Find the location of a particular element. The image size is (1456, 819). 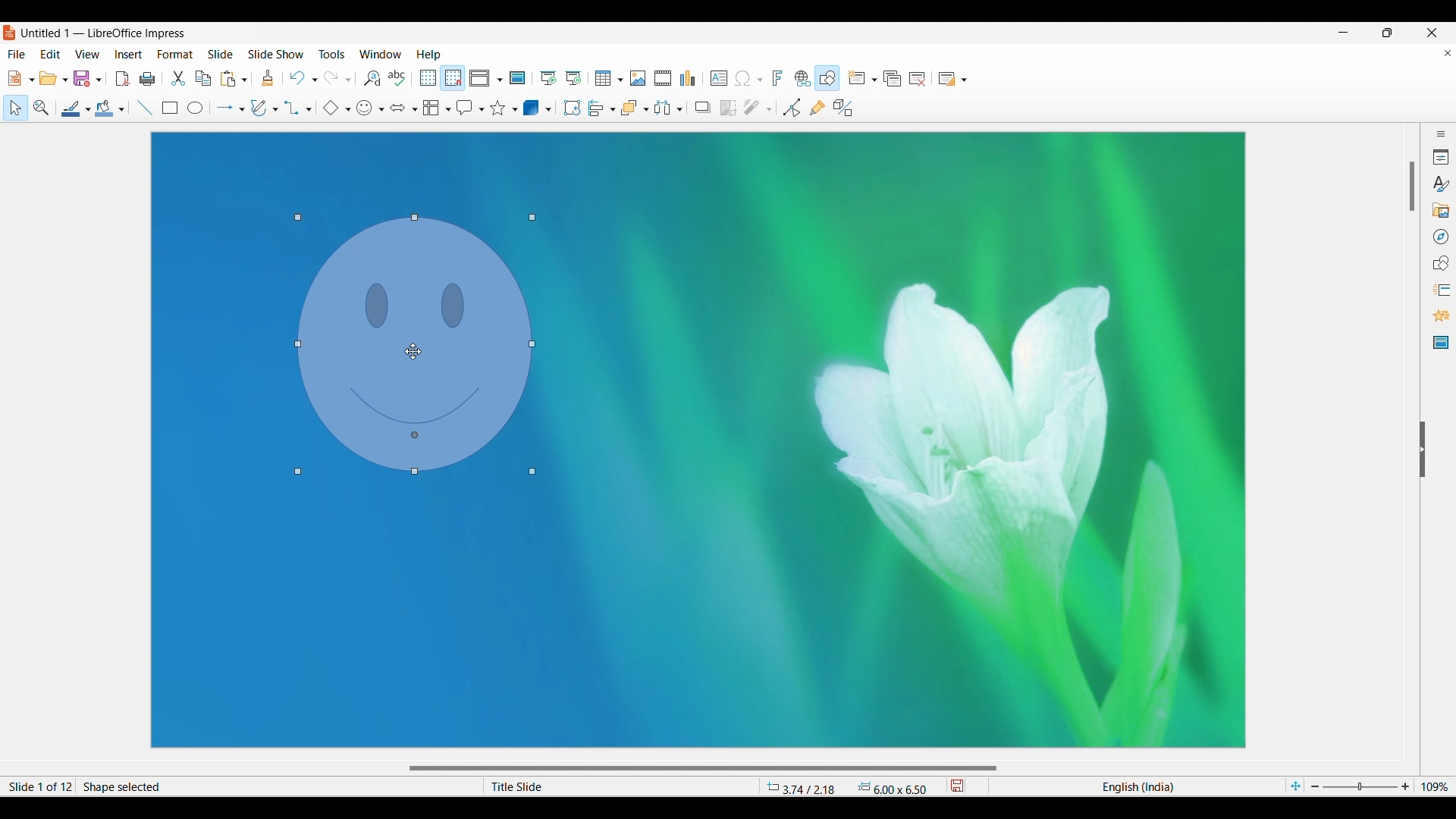

Line and arrow options is located at coordinates (242, 110).